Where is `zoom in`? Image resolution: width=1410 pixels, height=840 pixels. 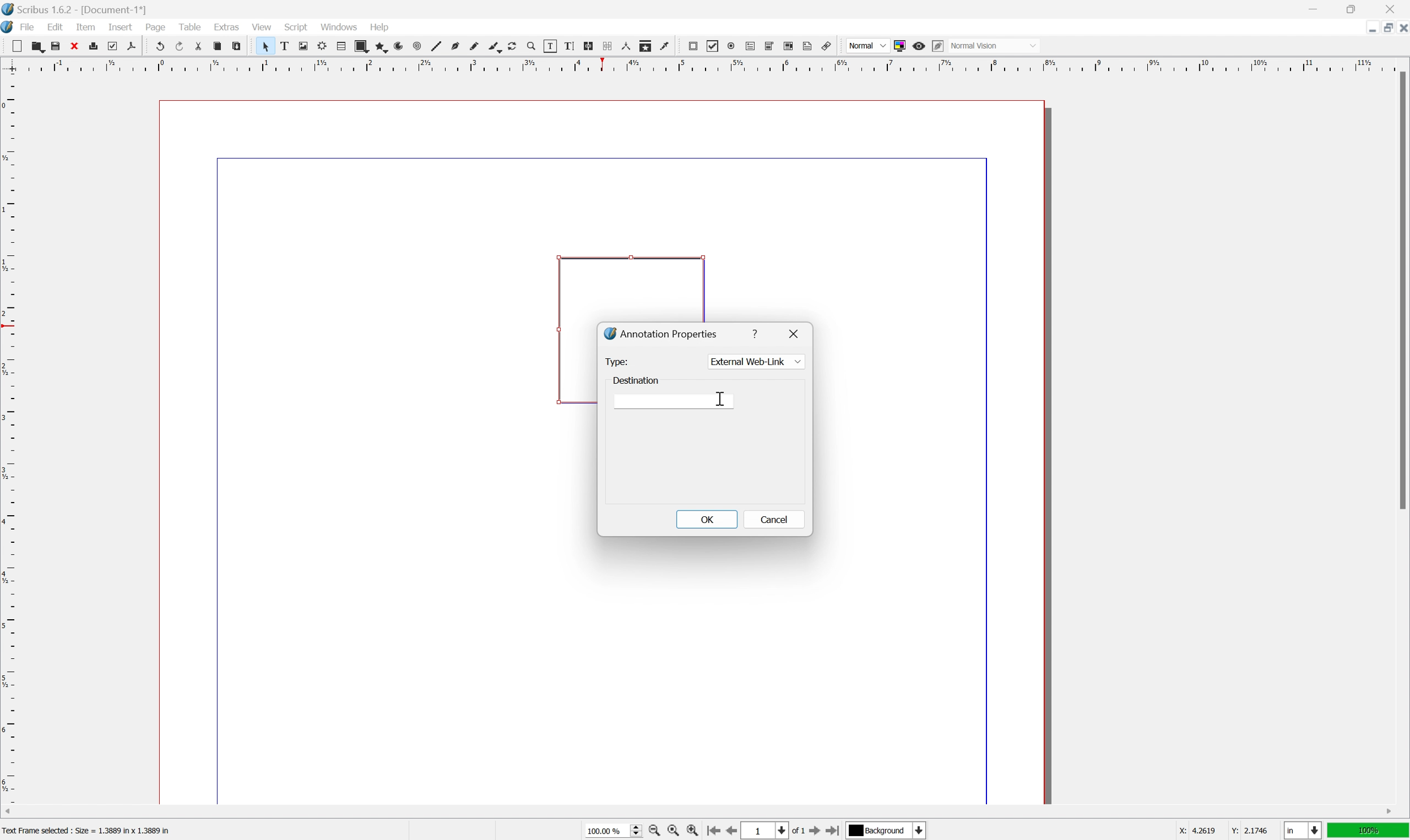 zoom in is located at coordinates (692, 830).